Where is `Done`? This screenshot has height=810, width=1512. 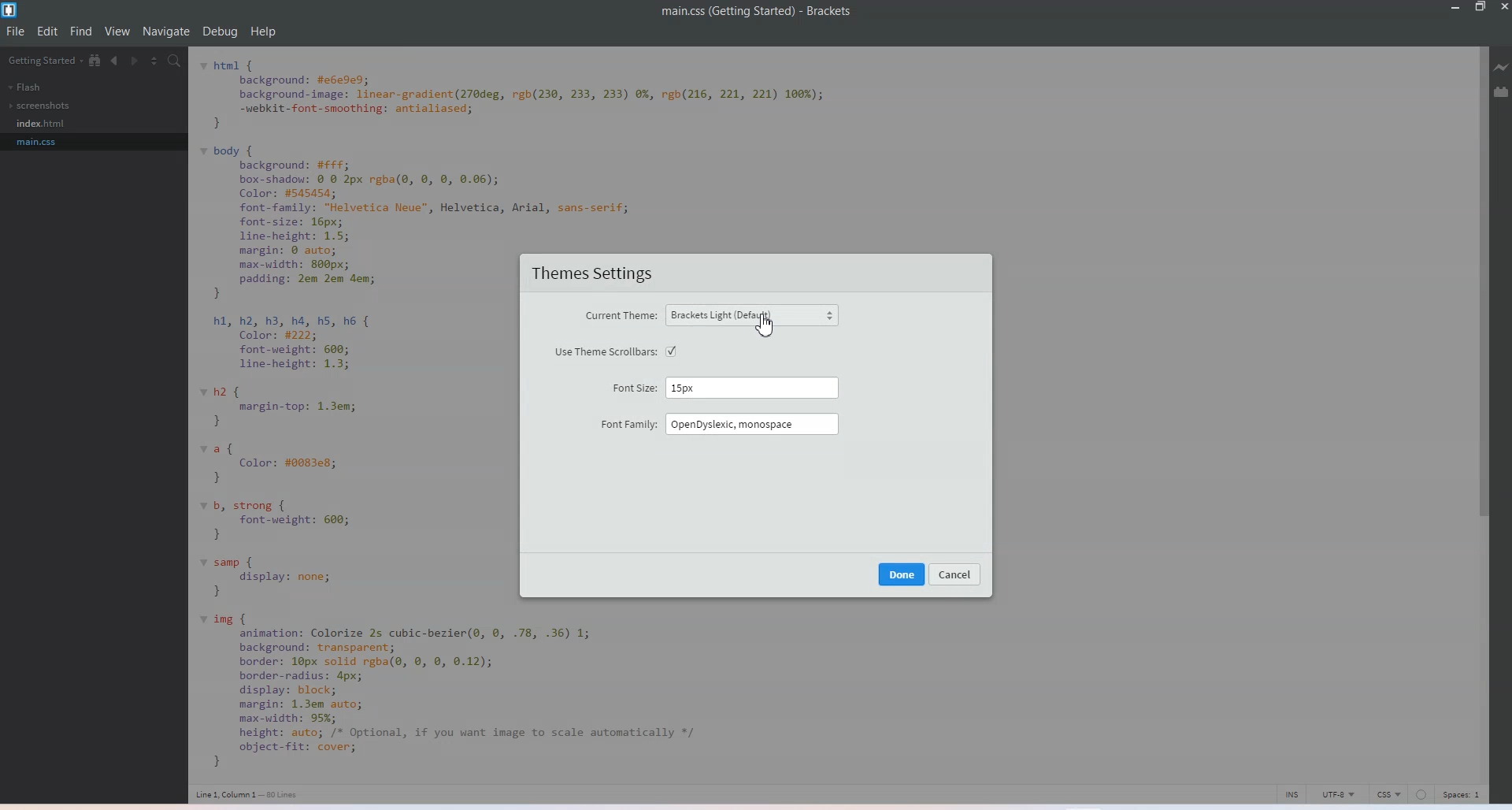 Done is located at coordinates (902, 574).